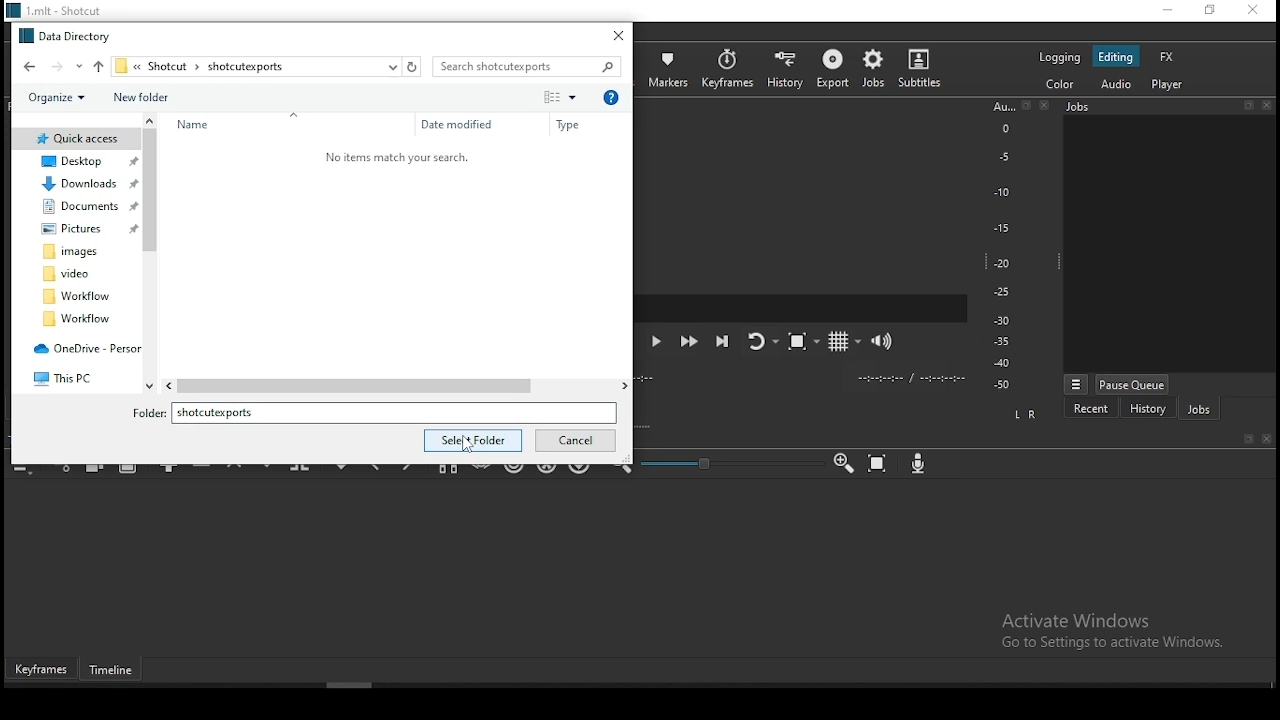 The height and width of the screenshot is (720, 1280). What do you see at coordinates (66, 33) in the screenshot?
I see `data directory` at bounding box center [66, 33].